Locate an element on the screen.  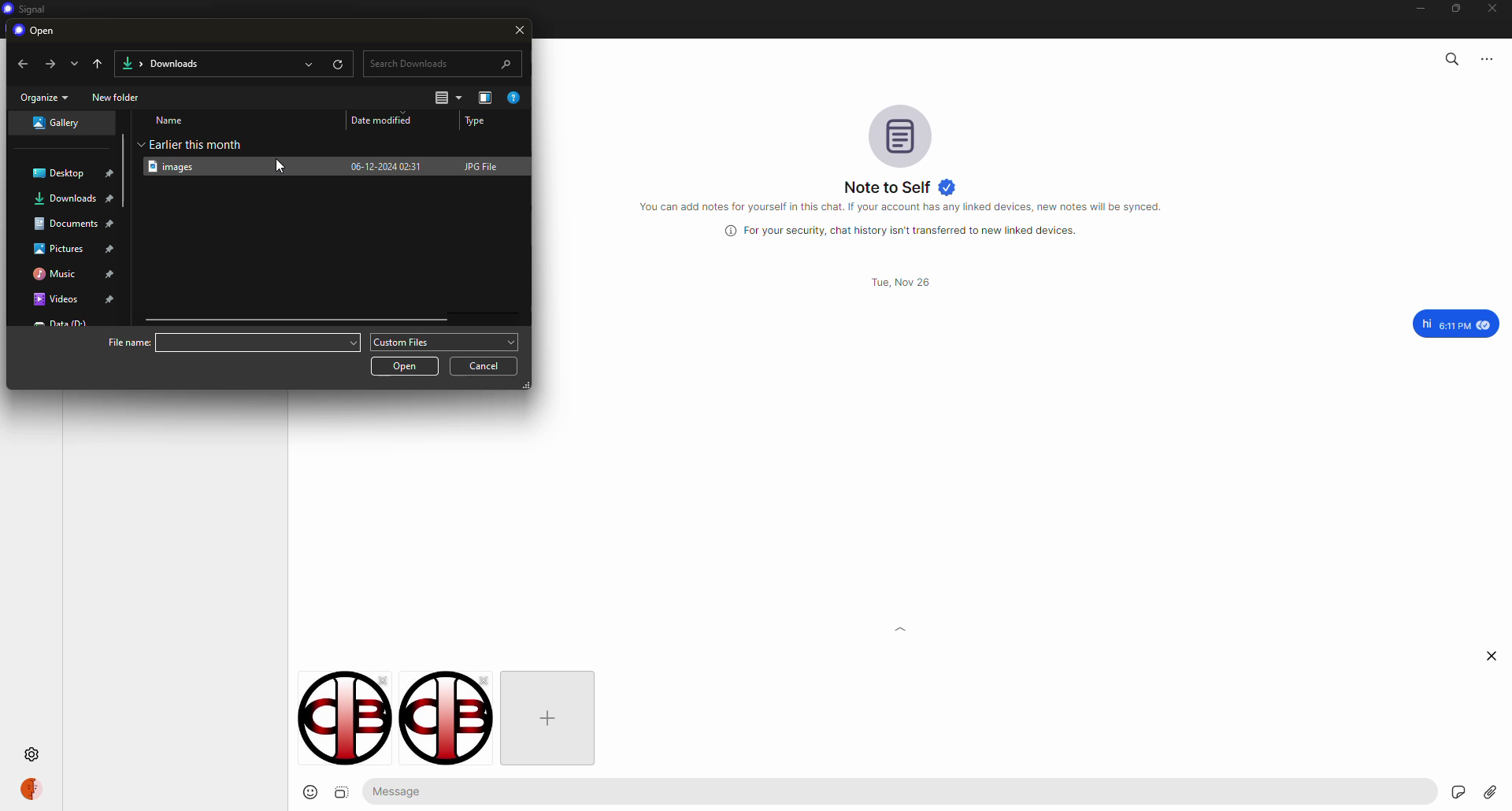
organize is located at coordinates (45, 97).